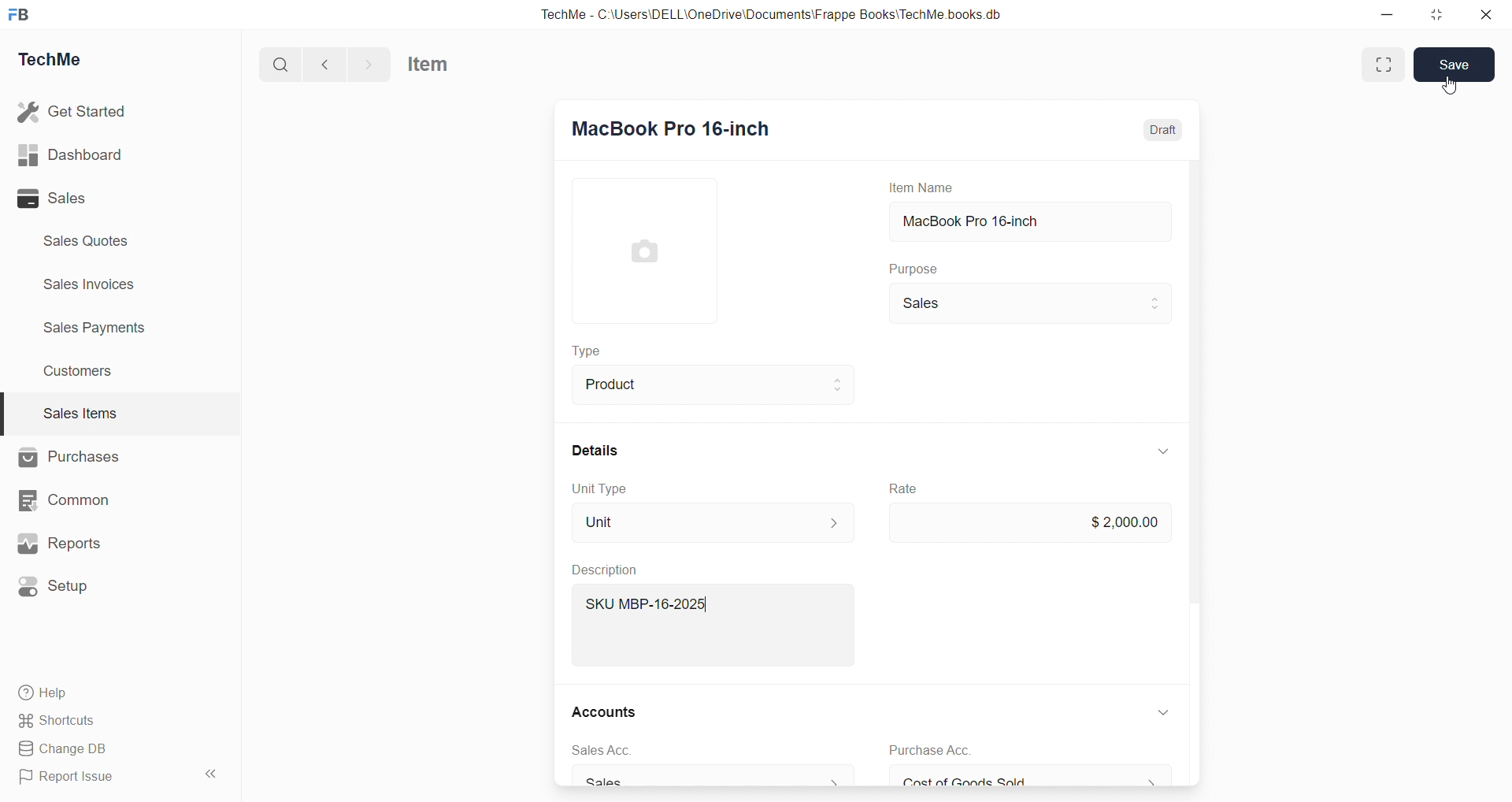  Describe the element at coordinates (1458, 65) in the screenshot. I see `Save` at that location.